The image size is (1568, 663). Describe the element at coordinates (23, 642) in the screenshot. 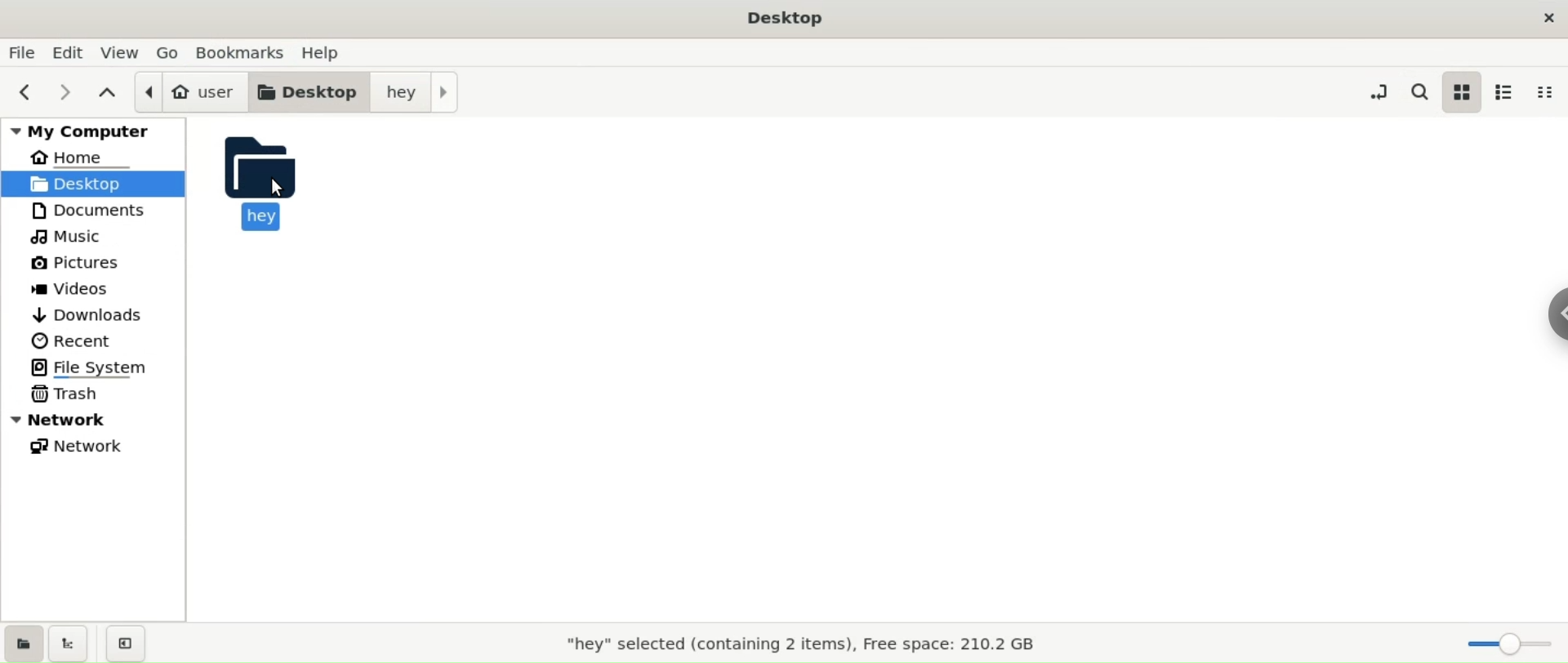

I see `show places` at that location.